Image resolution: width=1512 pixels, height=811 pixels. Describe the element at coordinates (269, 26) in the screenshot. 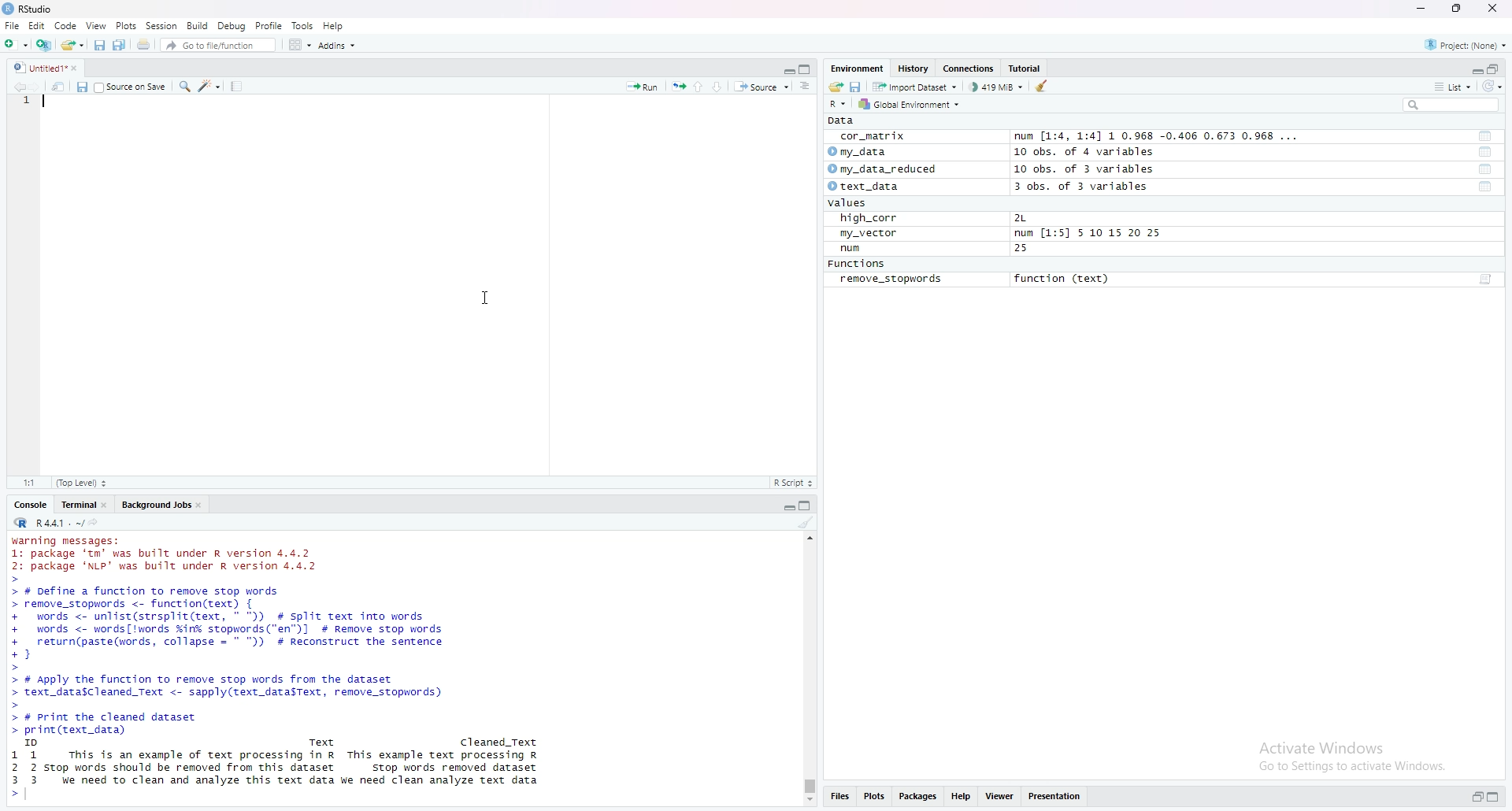

I see `Profile` at that location.